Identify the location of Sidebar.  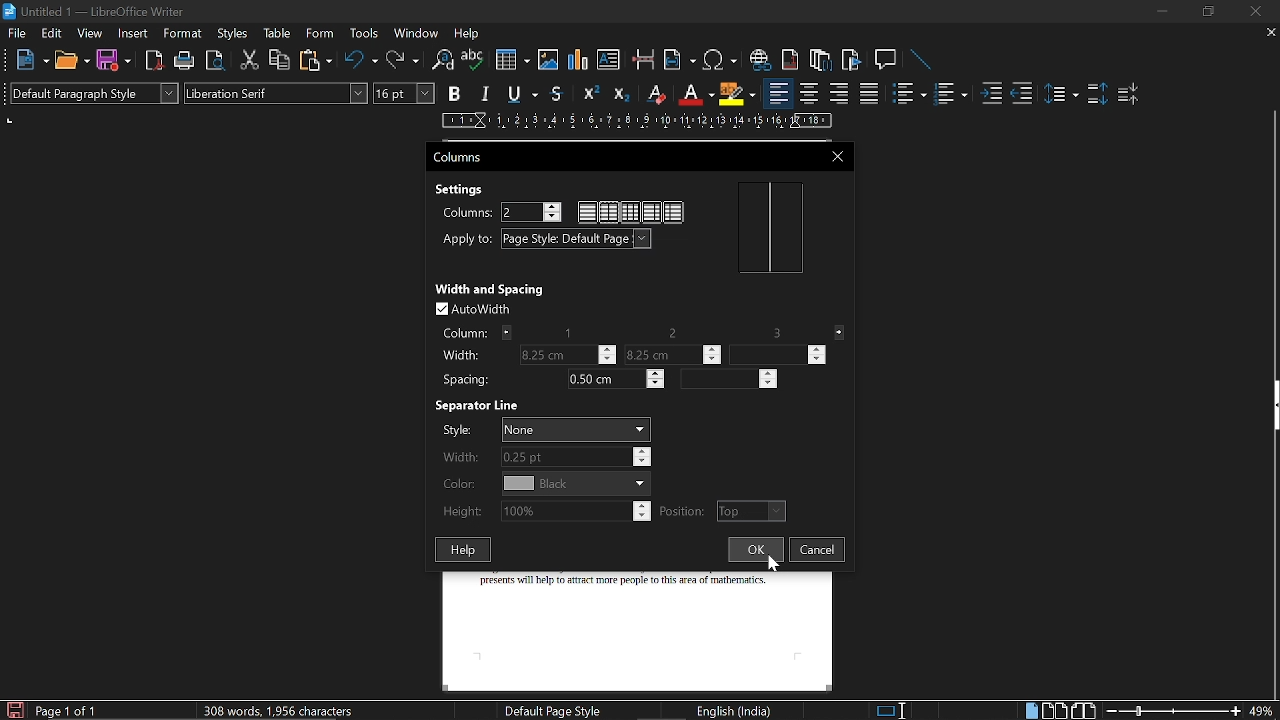
(1272, 407).